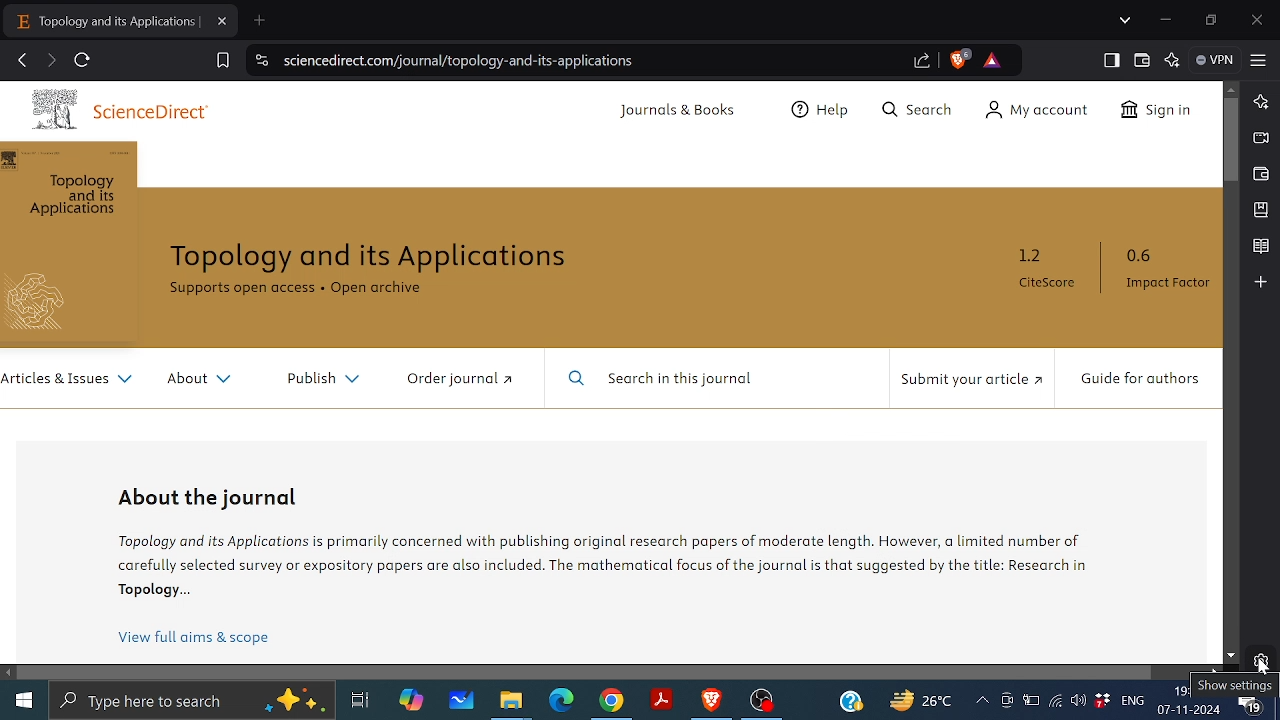 Image resolution: width=1280 pixels, height=720 pixels. What do you see at coordinates (924, 62) in the screenshot?
I see `Share link` at bounding box center [924, 62].